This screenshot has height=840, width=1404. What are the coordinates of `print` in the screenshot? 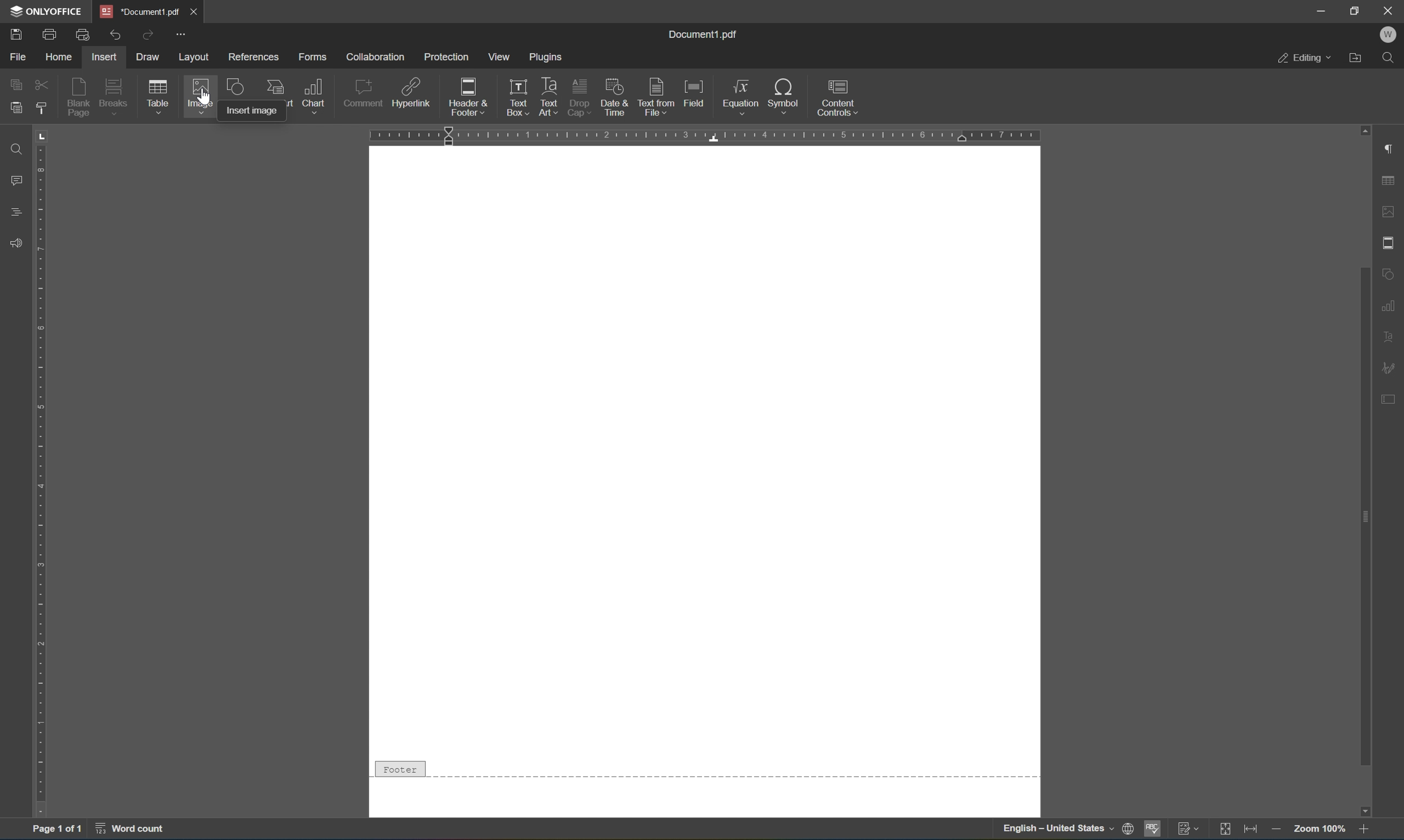 It's located at (46, 35).